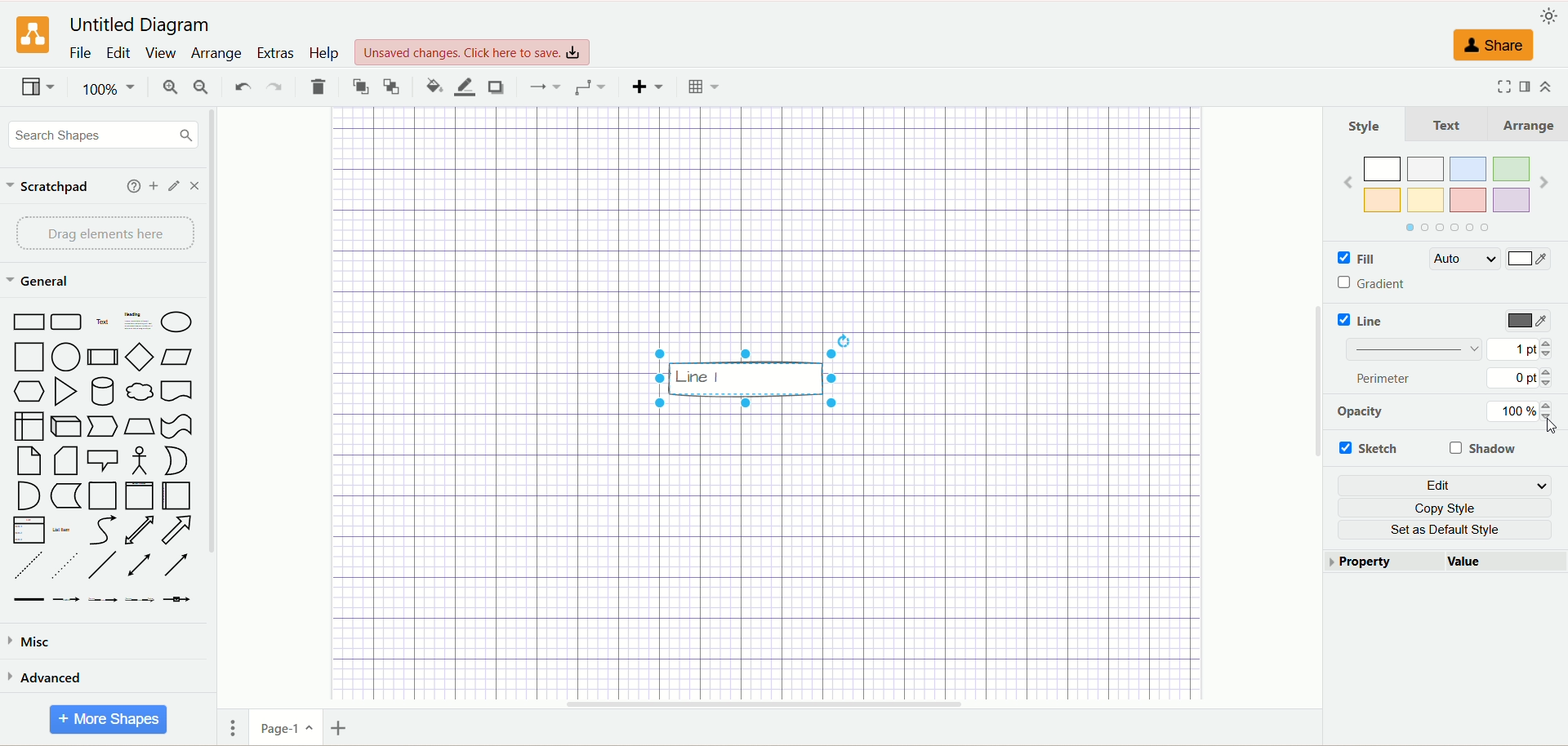 Image resolution: width=1568 pixels, height=746 pixels. What do you see at coordinates (1341, 319) in the screenshot?
I see `Checkbox` at bounding box center [1341, 319].